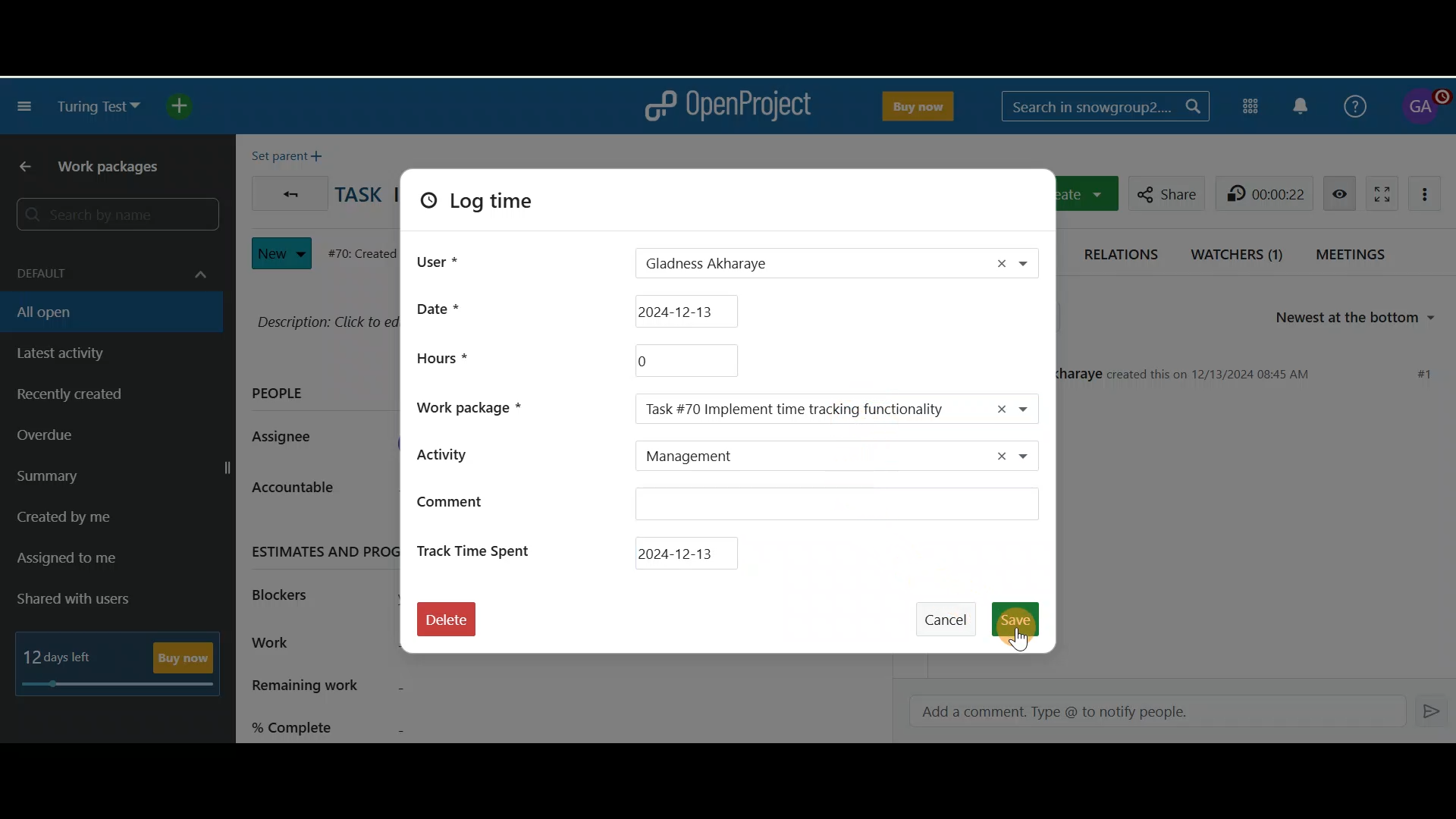 Image resolution: width=1456 pixels, height=819 pixels. Describe the element at coordinates (499, 206) in the screenshot. I see `Log time` at that location.